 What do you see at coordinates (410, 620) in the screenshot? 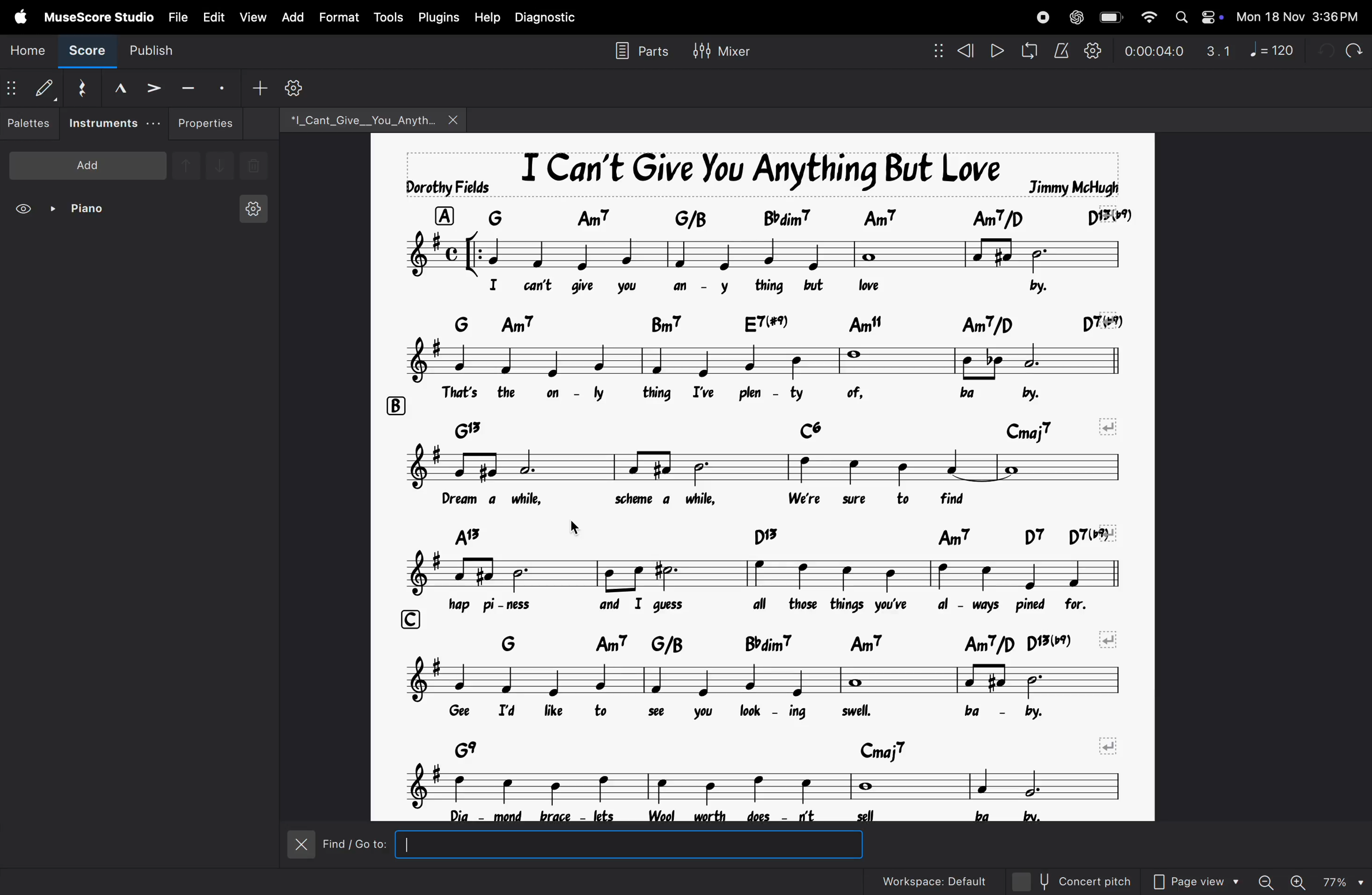
I see `row` at bounding box center [410, 620].